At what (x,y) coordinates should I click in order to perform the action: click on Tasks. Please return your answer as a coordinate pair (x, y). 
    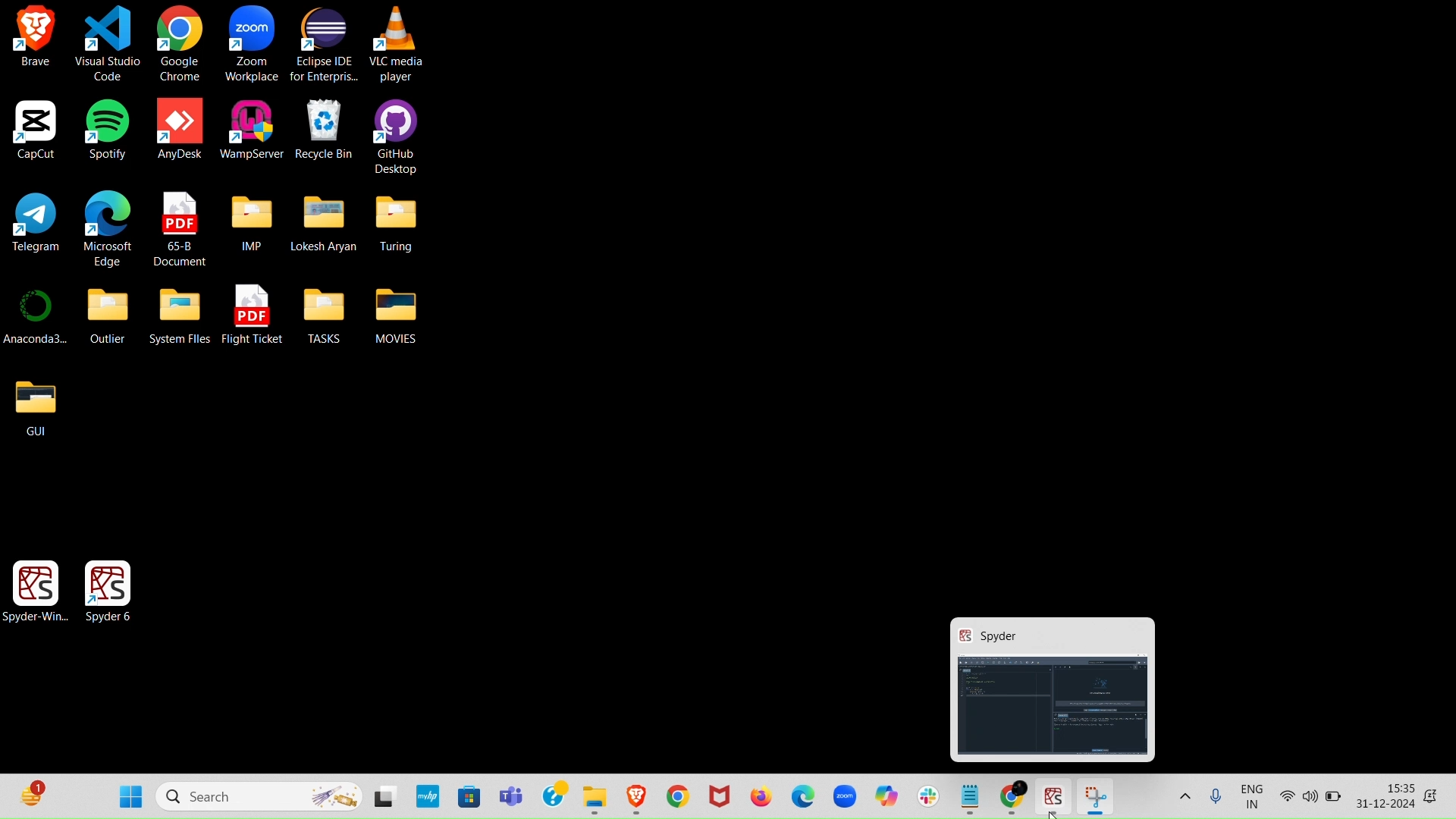
    Looking at the image, I should click on (324, 314).